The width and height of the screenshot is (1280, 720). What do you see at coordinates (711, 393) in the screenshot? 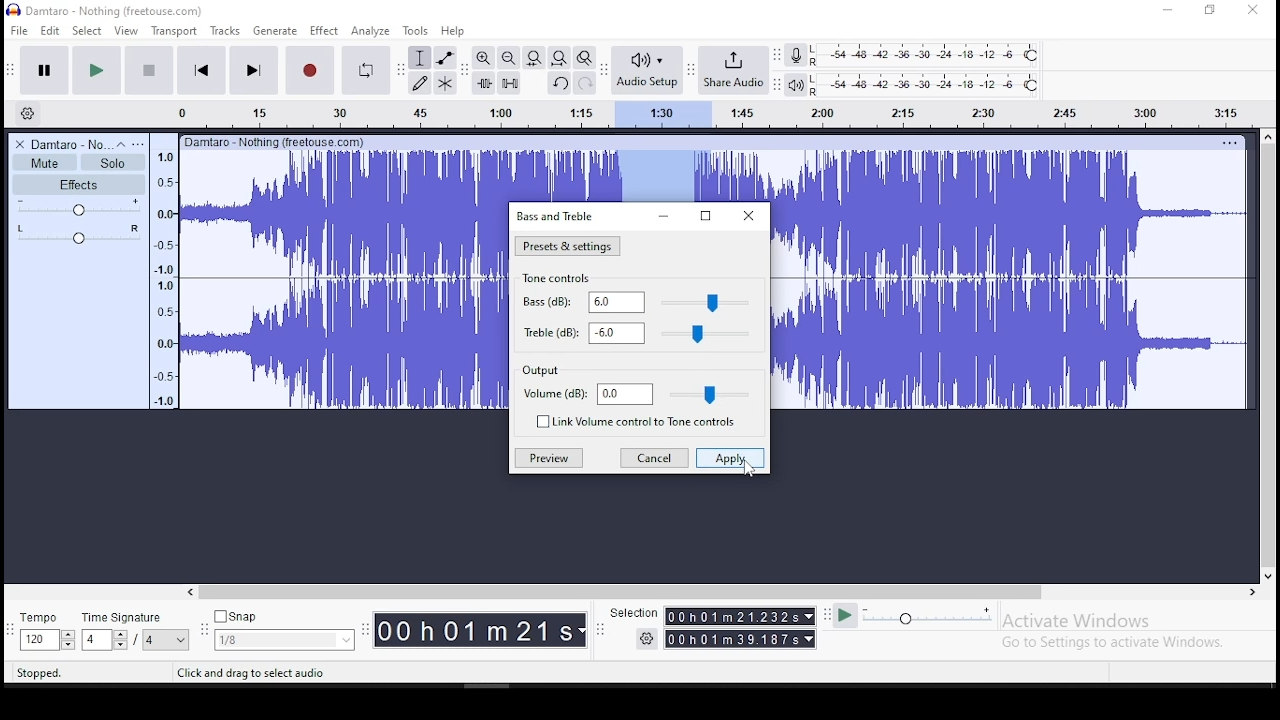
I see `control` at bounding box center [711, 393].